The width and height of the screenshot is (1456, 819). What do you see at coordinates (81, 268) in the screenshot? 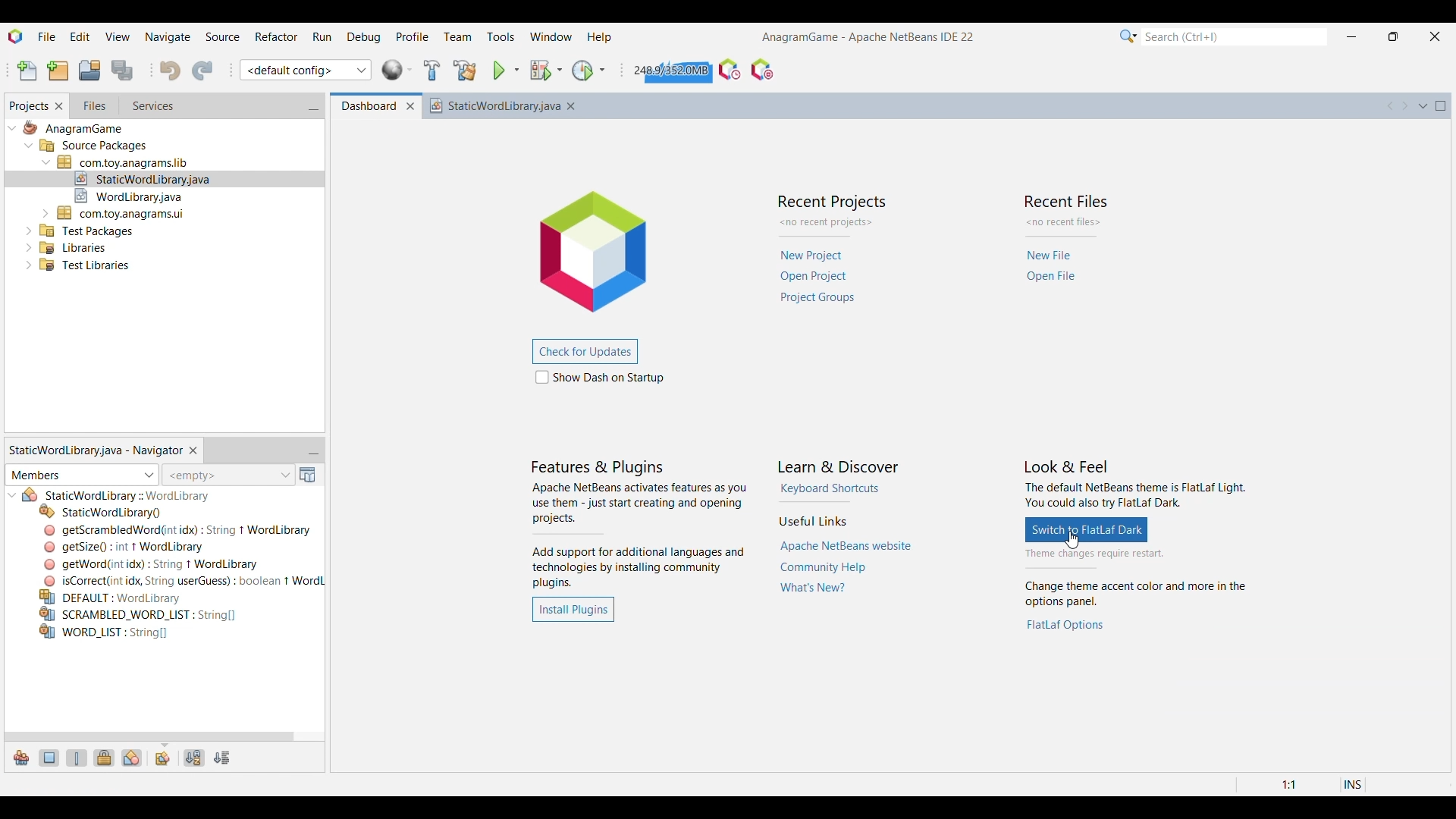
I see `` at bounding box center [81, 268].